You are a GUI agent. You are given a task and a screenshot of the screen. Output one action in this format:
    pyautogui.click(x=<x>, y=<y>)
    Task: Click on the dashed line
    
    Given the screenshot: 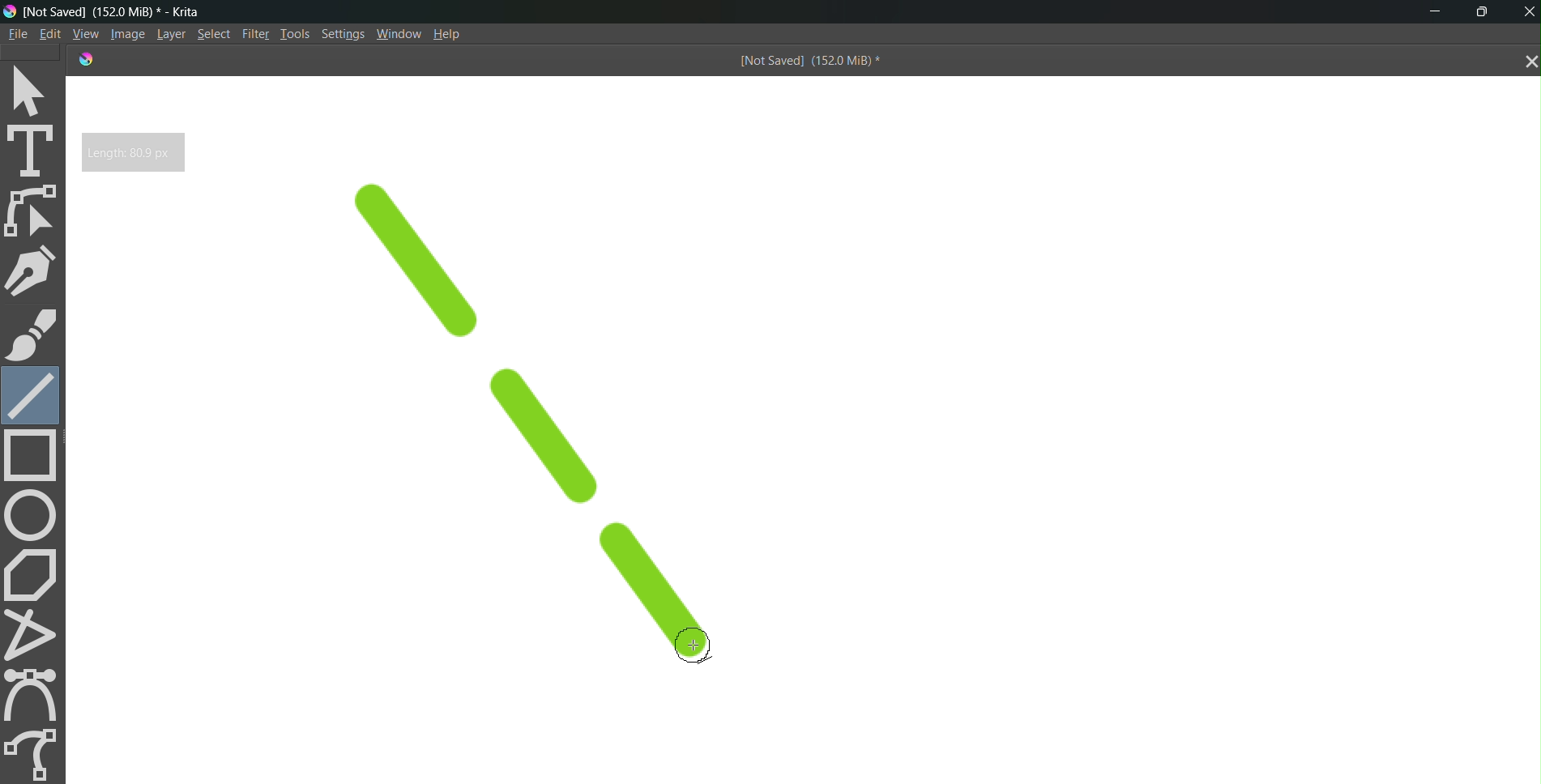 What is the action you would take?
    pyautogui.click(x=565, y=432)
    